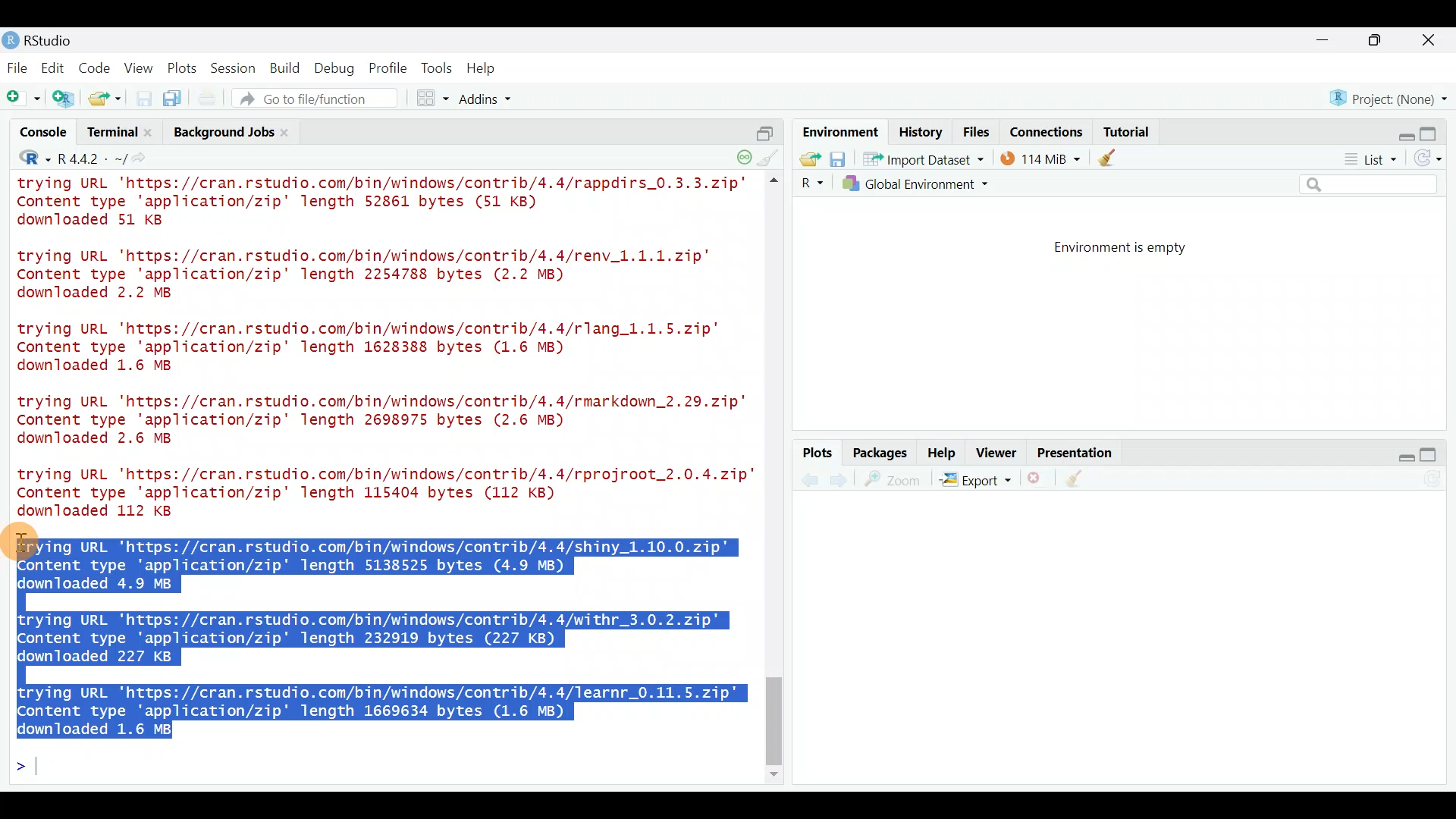 This screenshot has width=1456, height=819. I want to click on previous plot, so click(843, 479).